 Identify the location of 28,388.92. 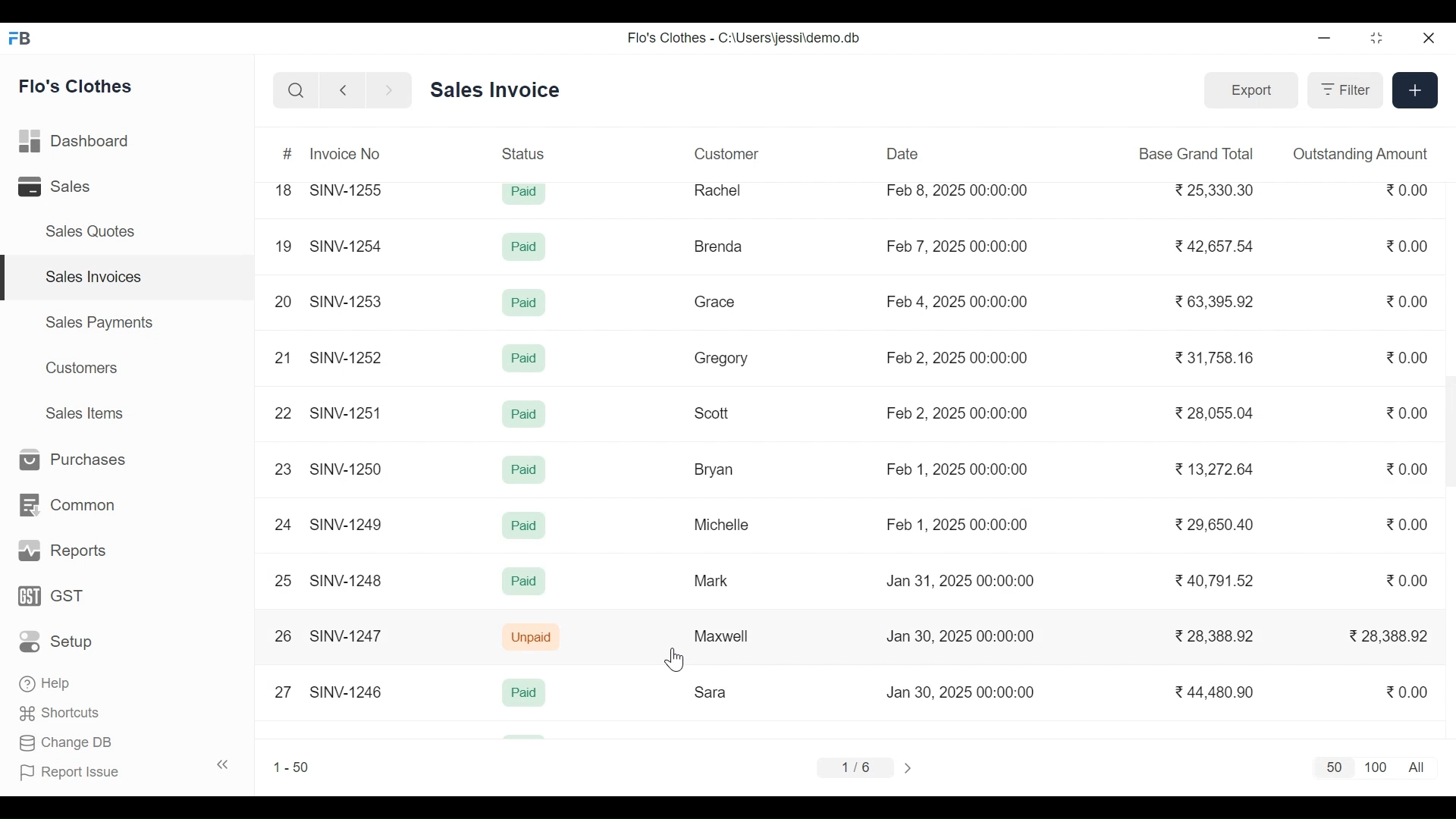
(1389, 635).